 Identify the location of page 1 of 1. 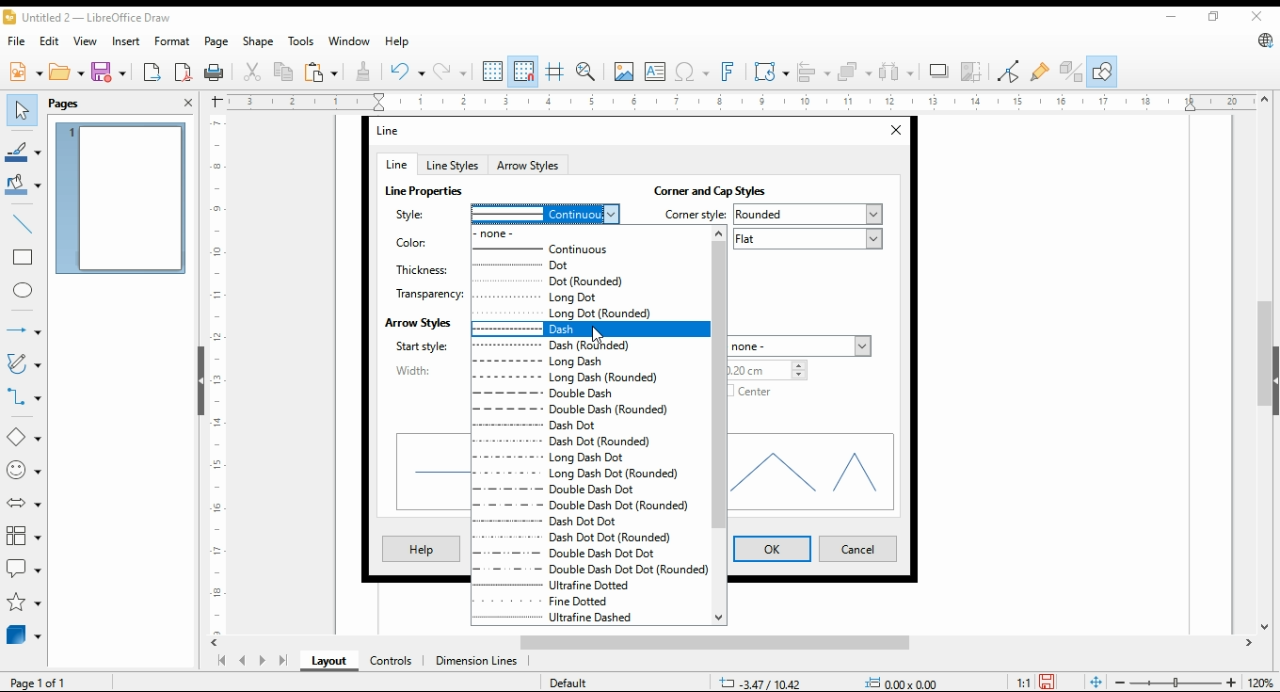
(40, 682).